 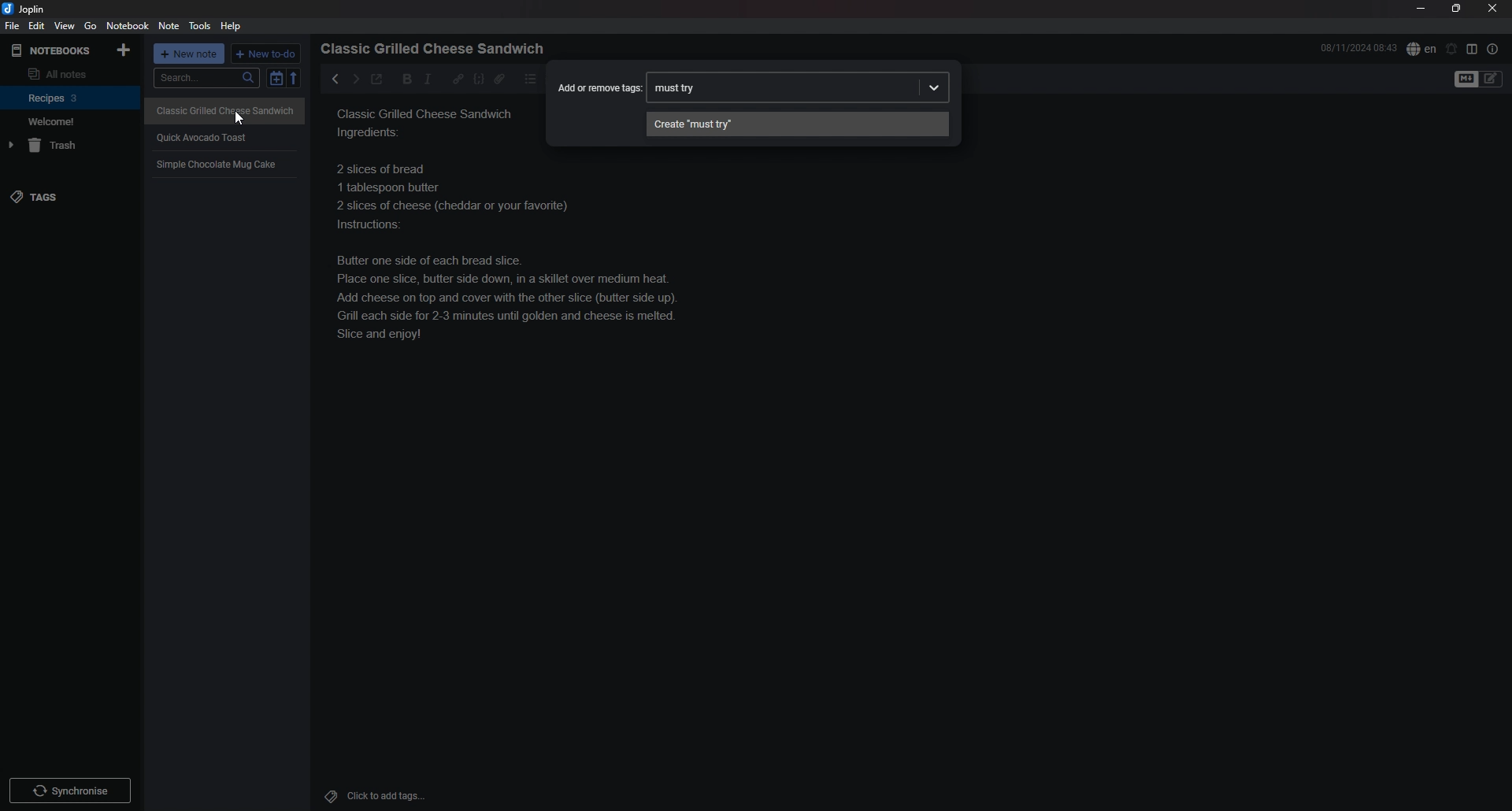 I want to click on code, so click(x=478, y=79).